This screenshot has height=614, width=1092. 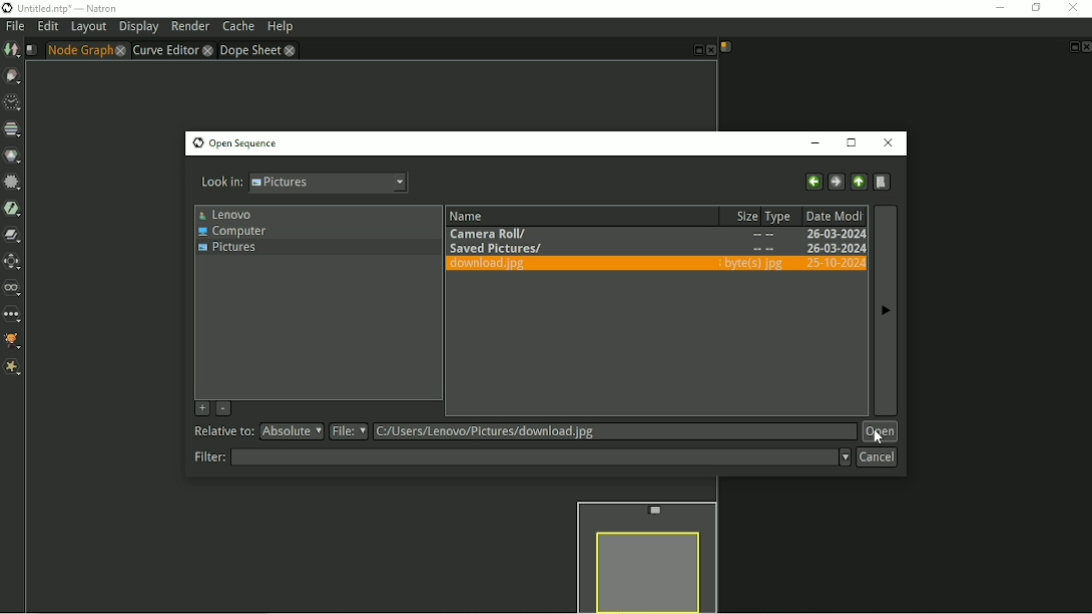 What do you see at coordinates (12, 129) in the screenshot?
I see `Channel` at bounding box center [12, 129].